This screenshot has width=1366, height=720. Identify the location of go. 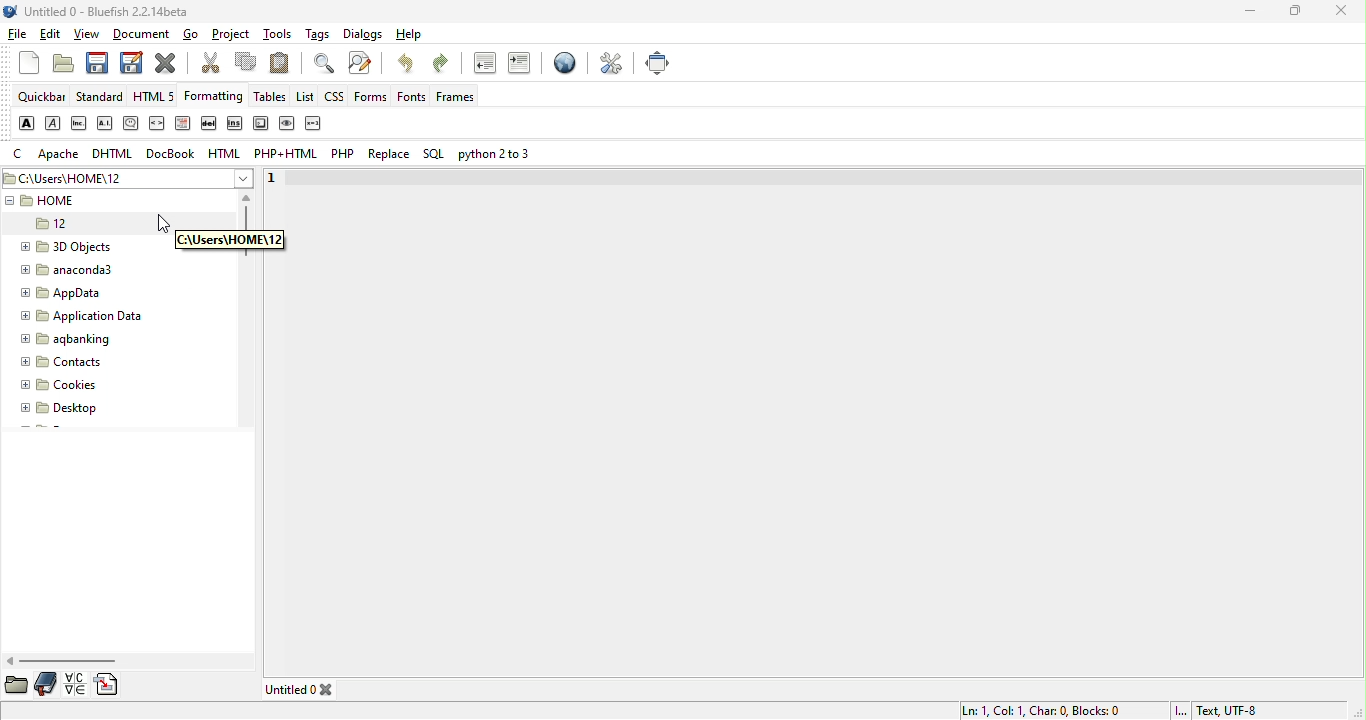
(192, 33).